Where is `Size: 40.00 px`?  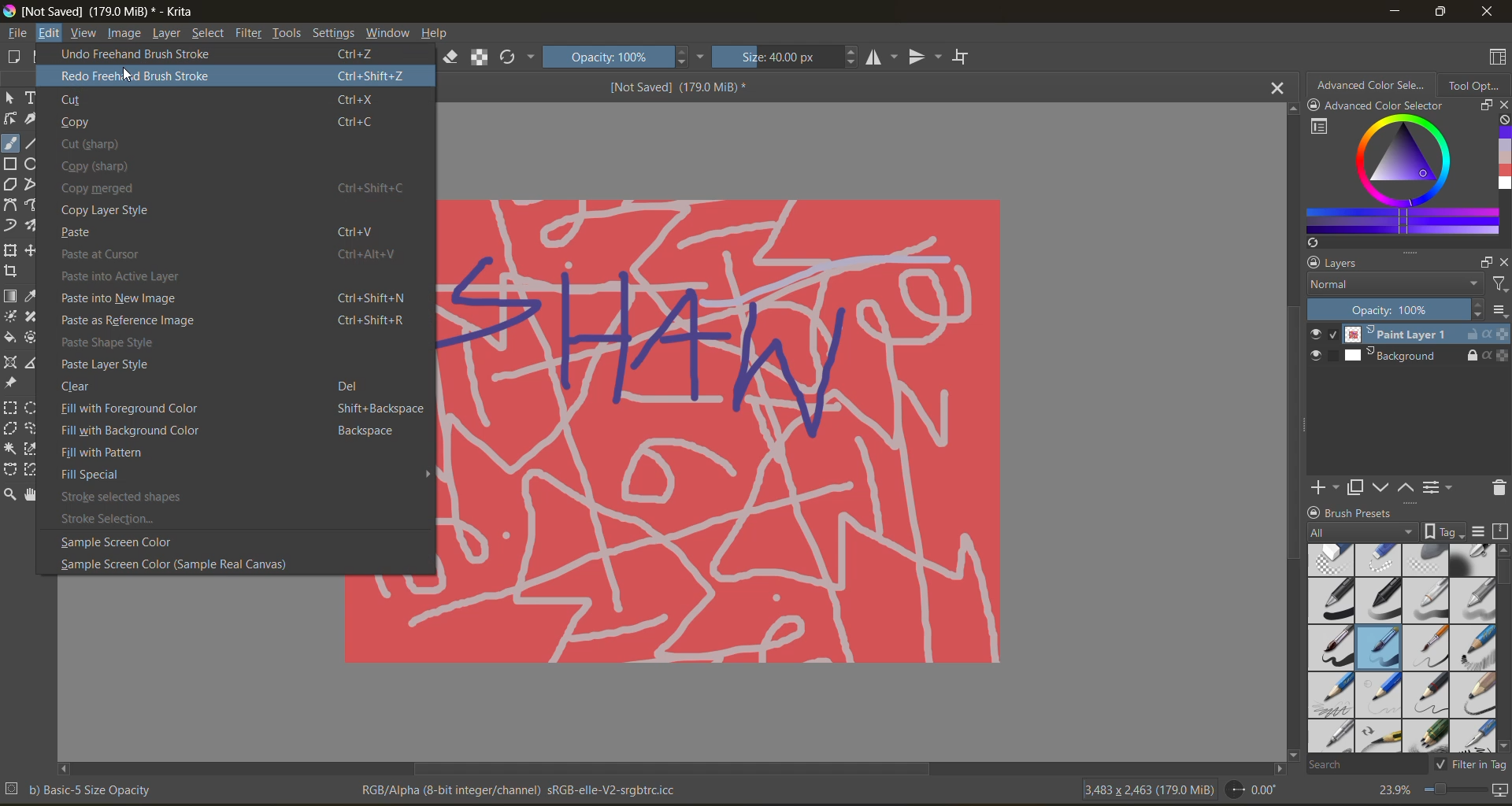 Size: 40.00 px is located at coordinates (785, 57).